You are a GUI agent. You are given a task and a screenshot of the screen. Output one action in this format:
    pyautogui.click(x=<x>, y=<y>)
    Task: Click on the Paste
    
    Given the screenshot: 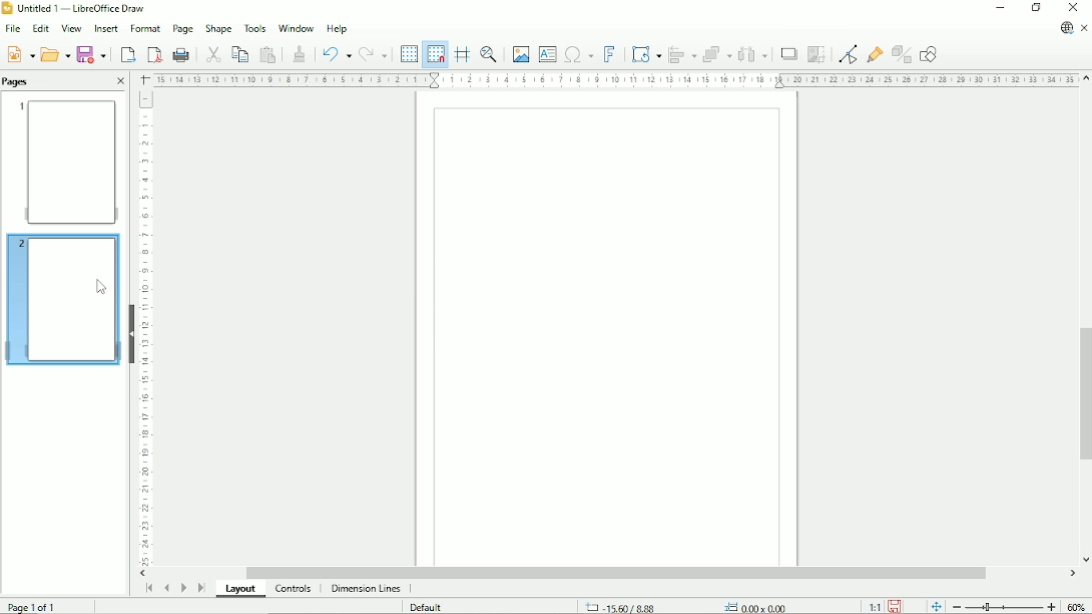 What is the action you would take?
    pyautogui.click(x=268, y=54)
    